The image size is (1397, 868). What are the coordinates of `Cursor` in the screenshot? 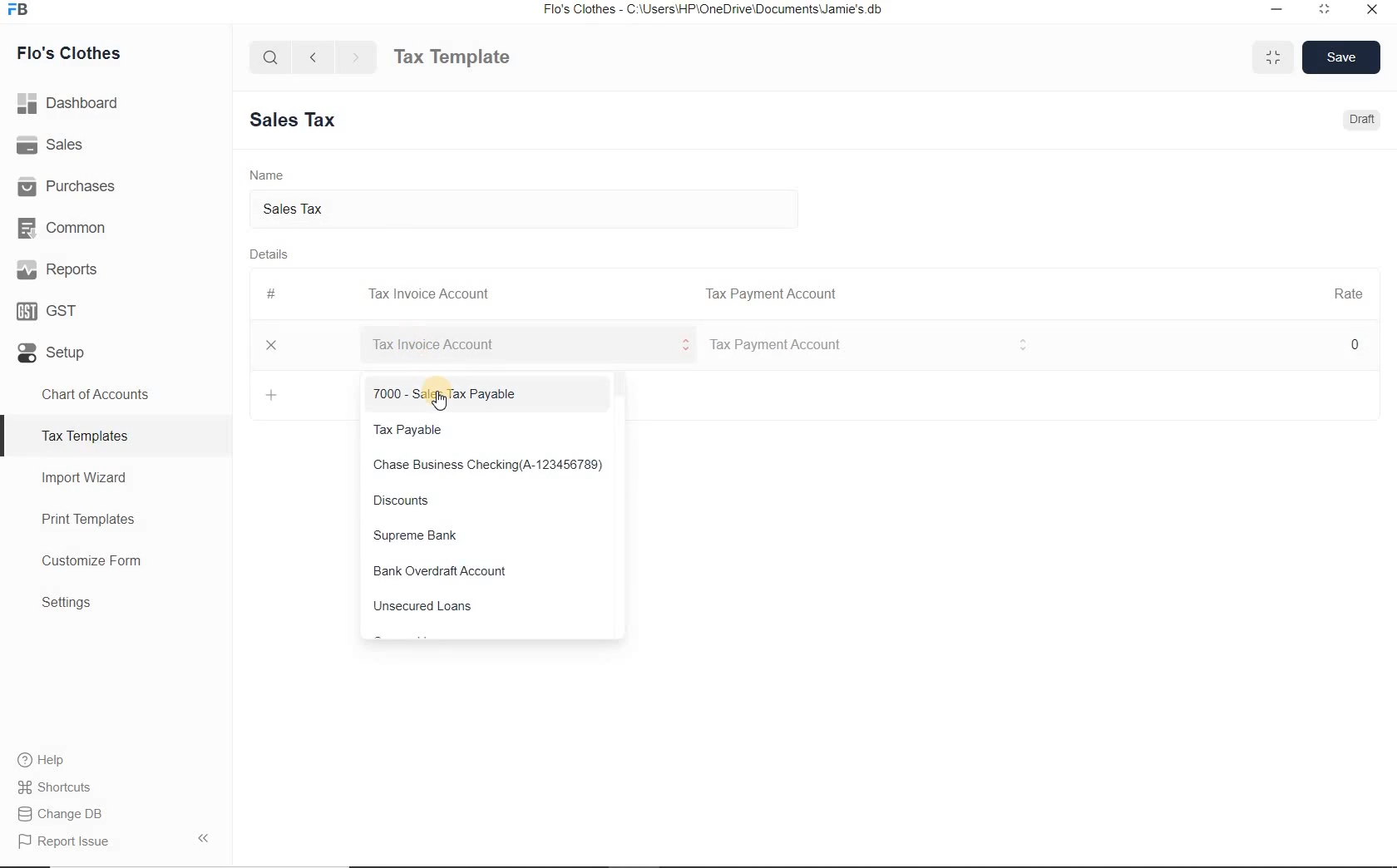 It's located at (442, 399).